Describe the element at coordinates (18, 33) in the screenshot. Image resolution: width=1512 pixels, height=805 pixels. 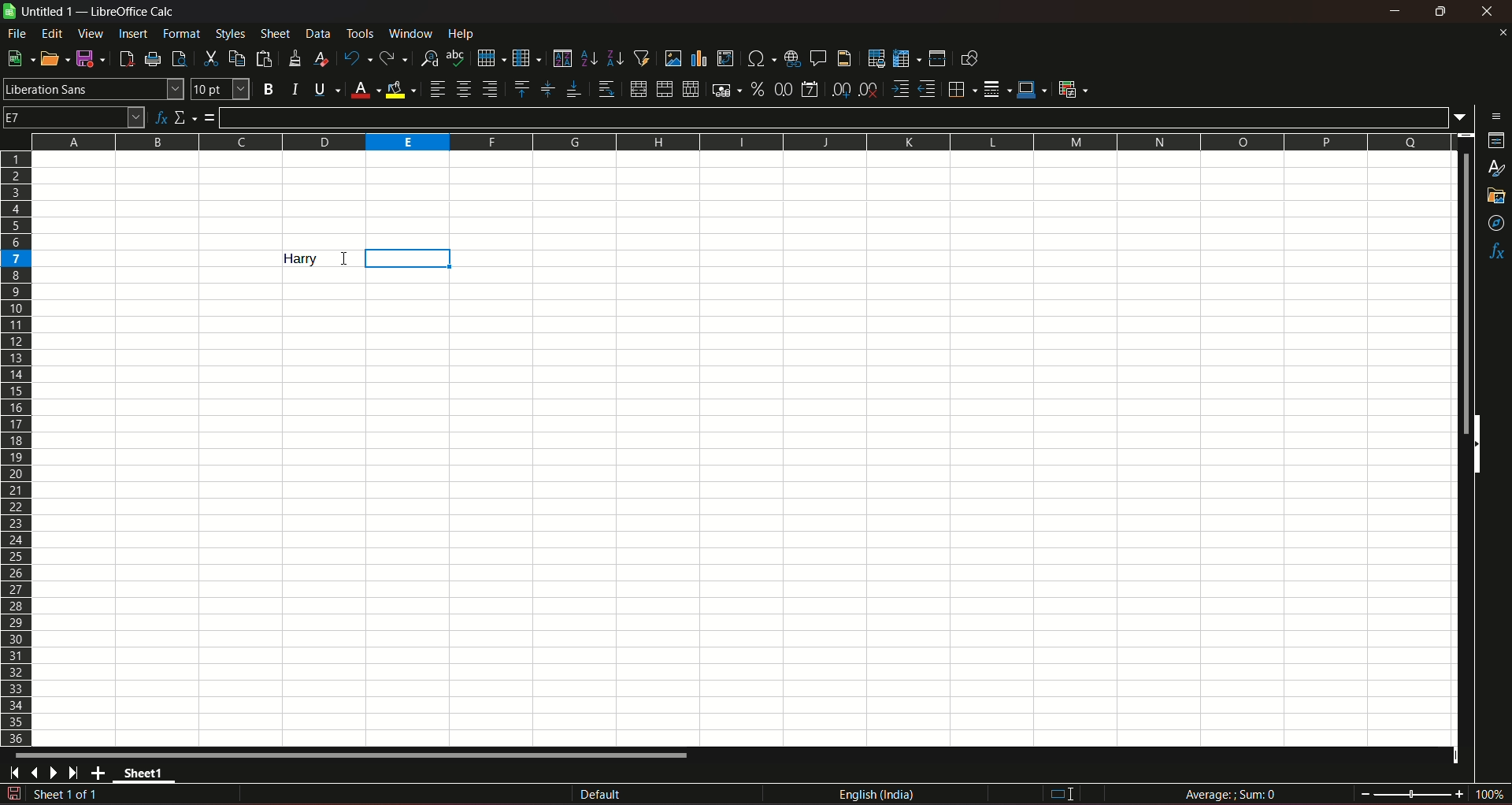
I see `file` at that location.